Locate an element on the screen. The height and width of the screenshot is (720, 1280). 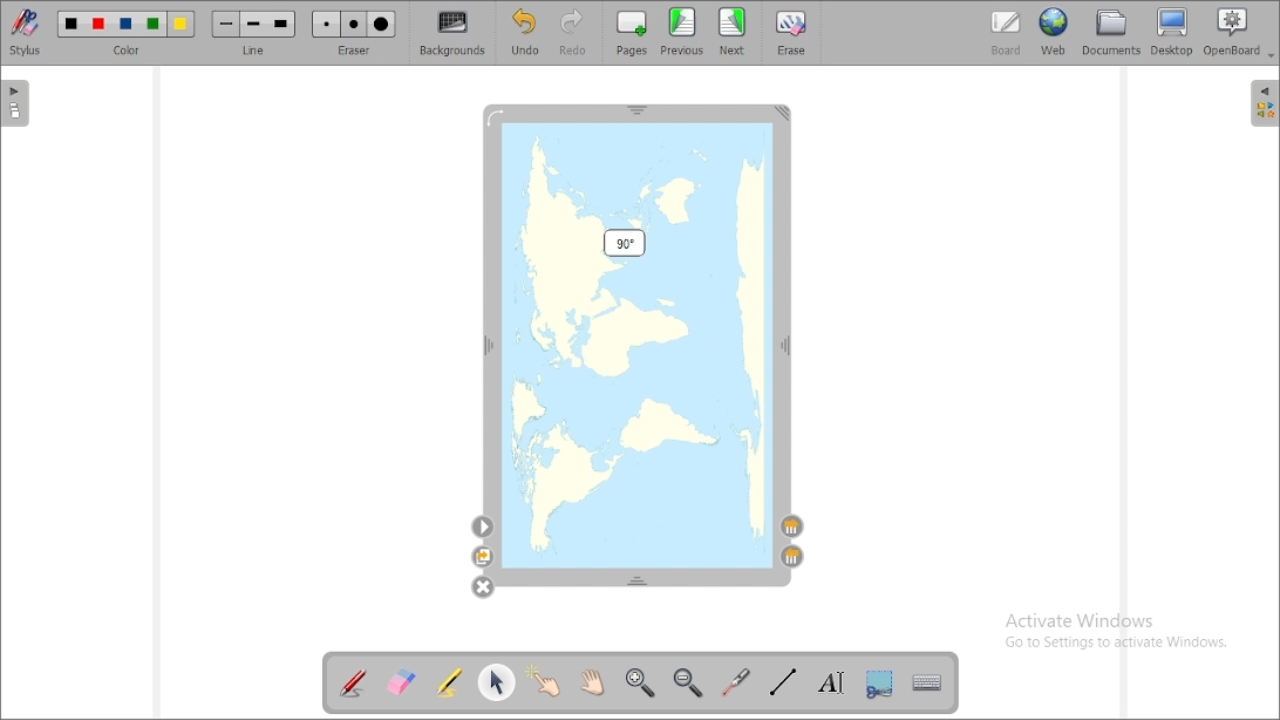
redo is located at coordinates (574, 33).